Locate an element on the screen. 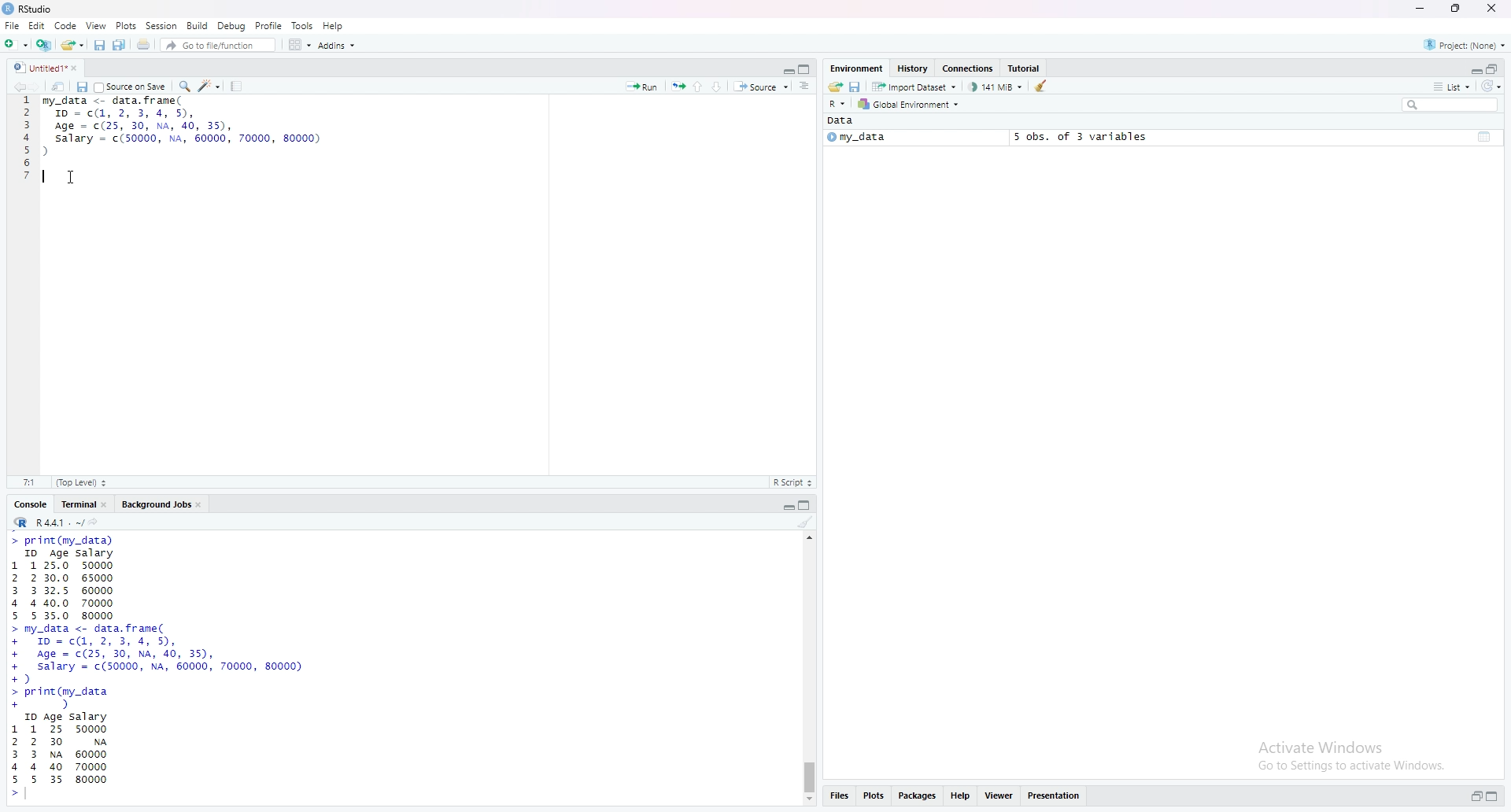  clear console is located at coordinates (807, 523).